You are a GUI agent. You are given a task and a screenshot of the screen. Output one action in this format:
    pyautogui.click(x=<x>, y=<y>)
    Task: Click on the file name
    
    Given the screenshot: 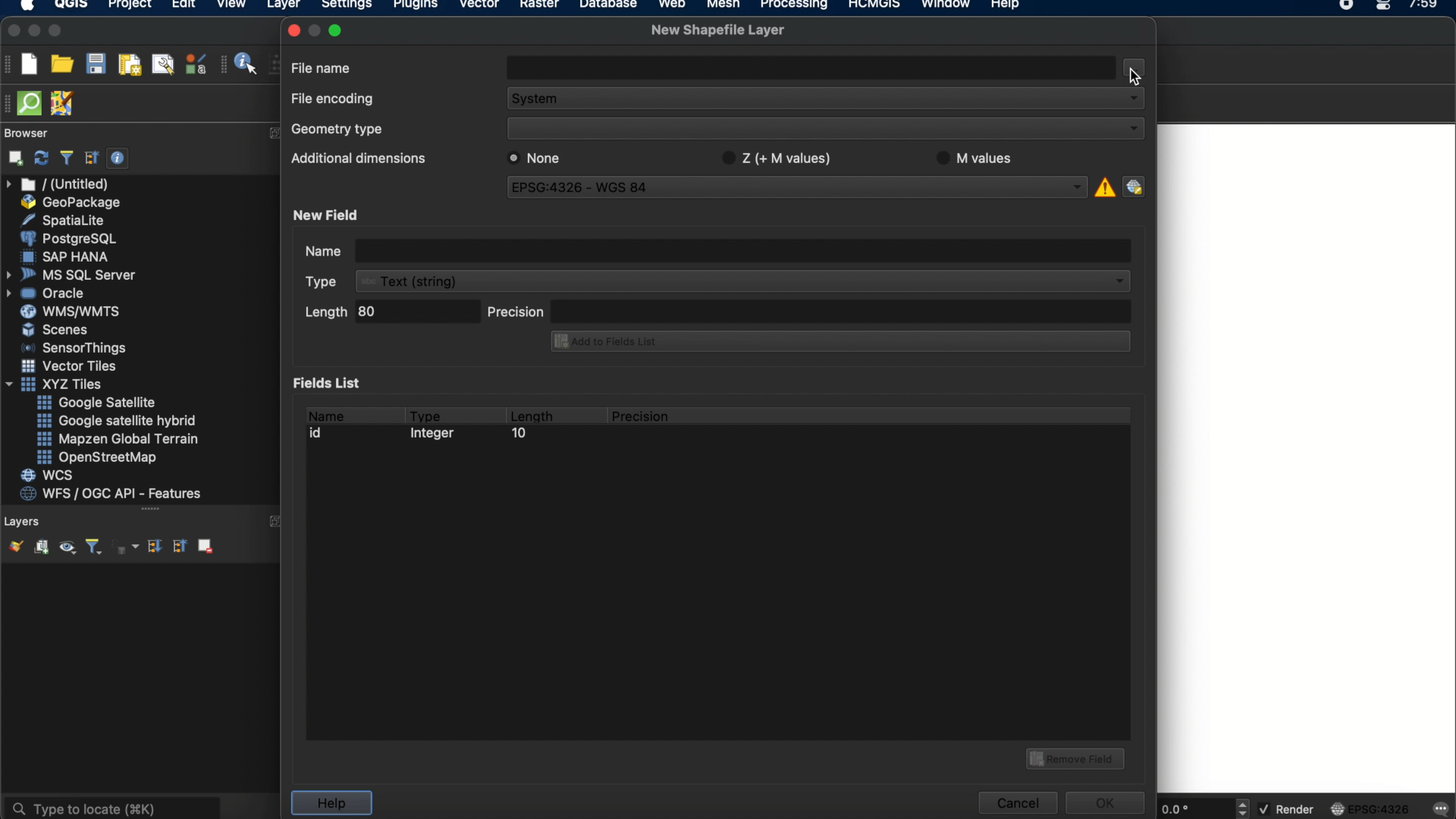 What is the action you would take?
    pyautogui.click(x=322, y=67)
    